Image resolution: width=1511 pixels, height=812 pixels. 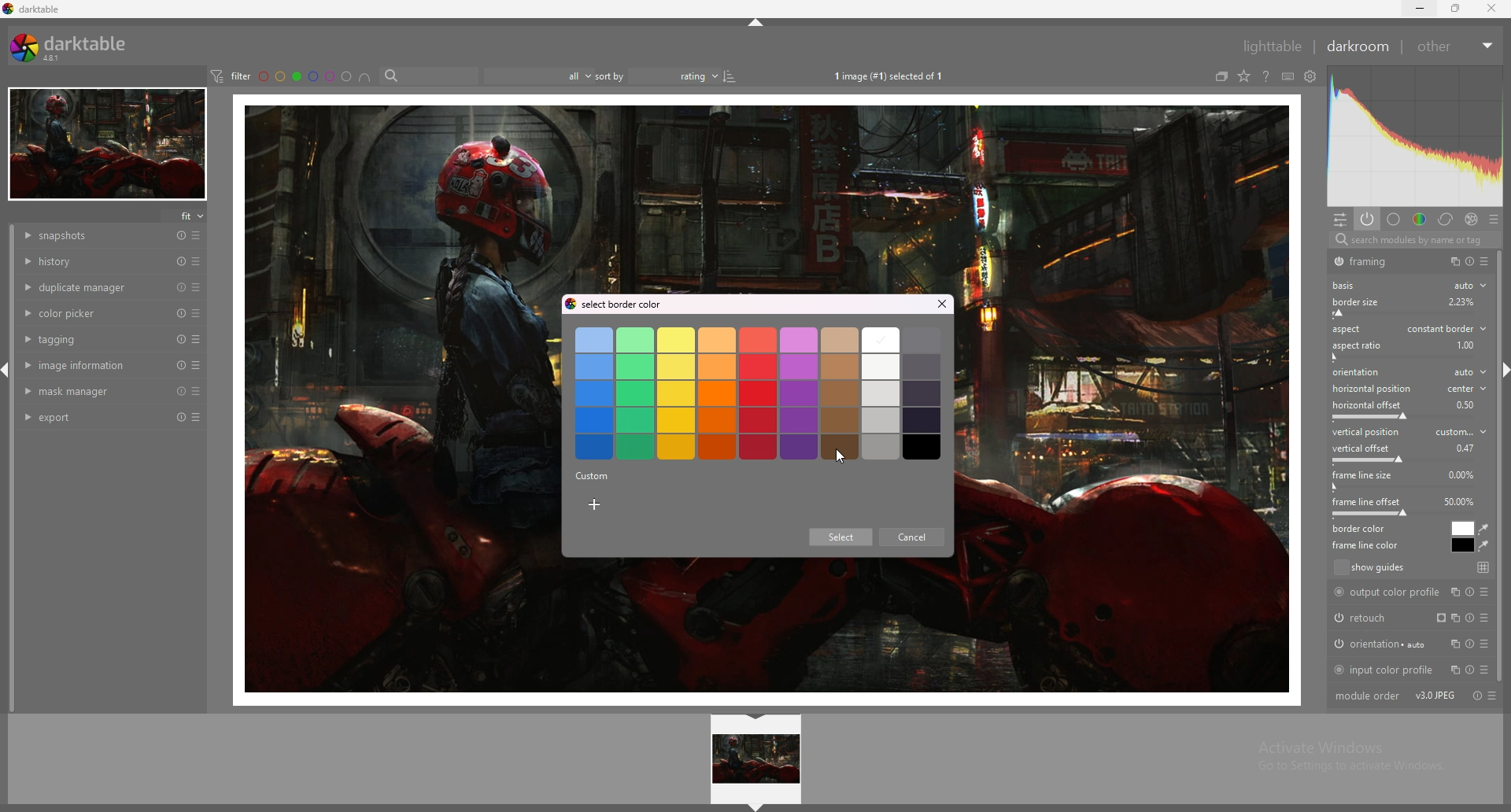 What do you see at coordinates (94, 286) in the screenshot?
I see `duplicate manager` at bounding box center [94, 286].